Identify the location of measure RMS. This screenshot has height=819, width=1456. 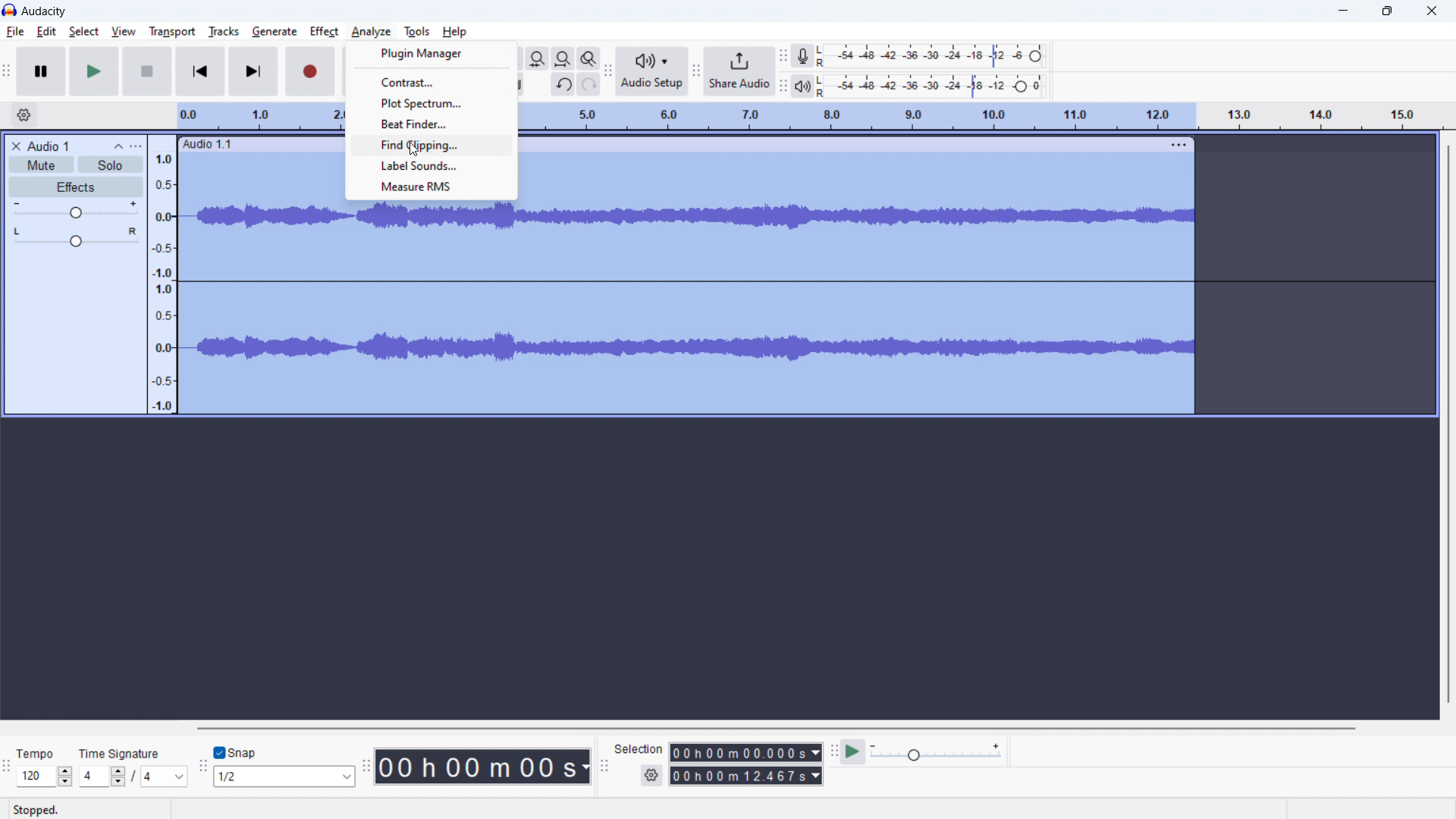
(434, 187).